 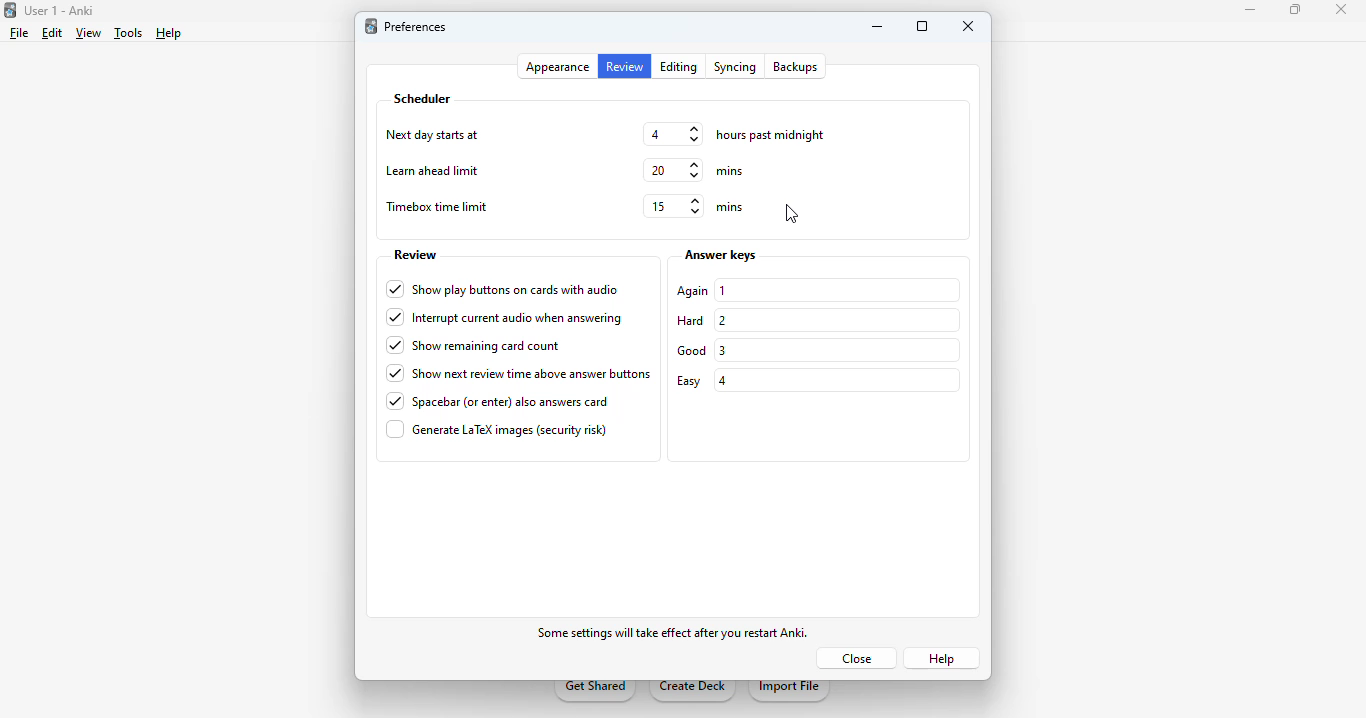 What do you see at coordinates (20, 33) in the screenshot?
I see `file` at bounding box center [20, 33].